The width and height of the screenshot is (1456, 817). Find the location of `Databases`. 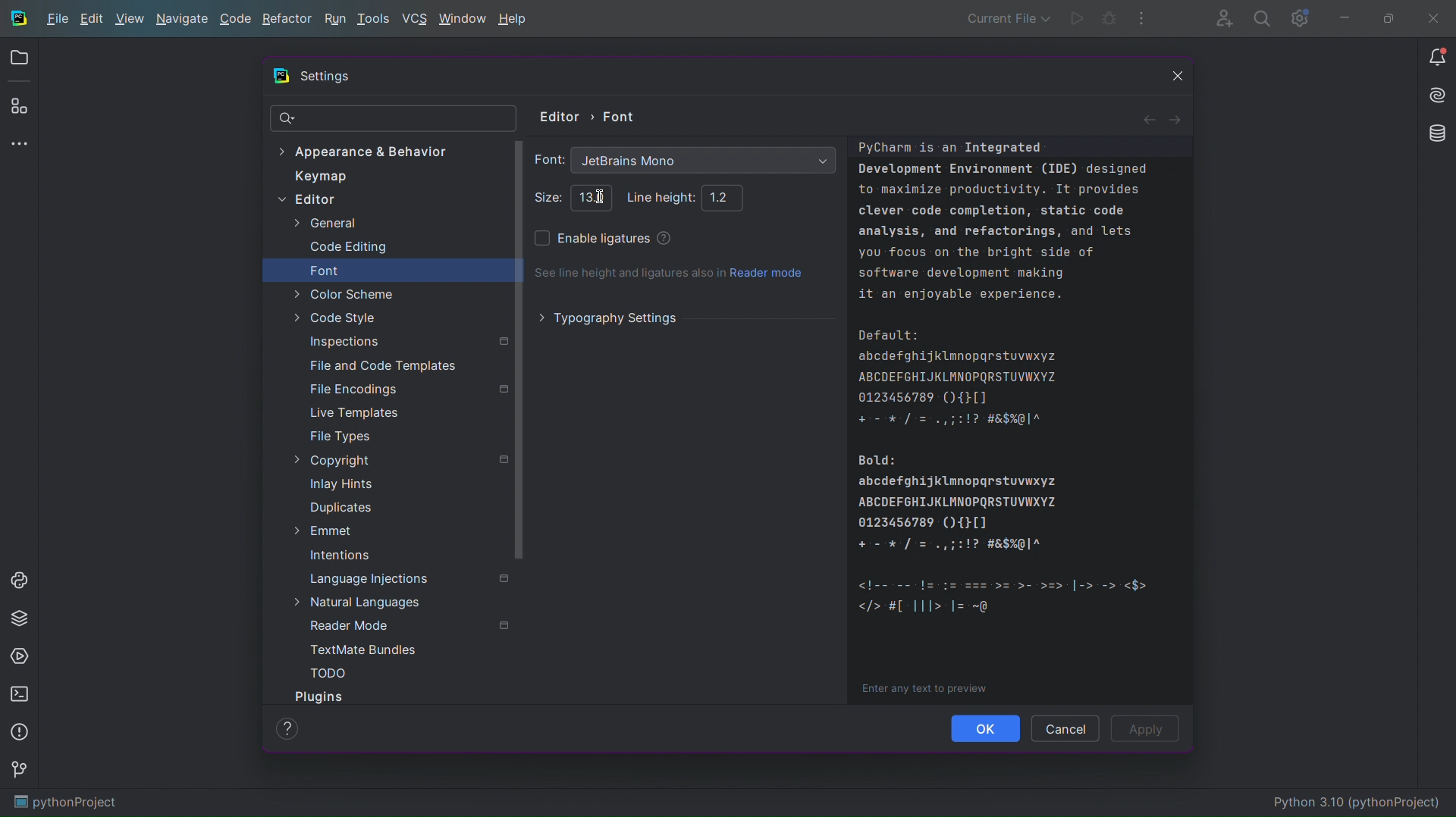

Databases is located at coordinates (1432, 136).